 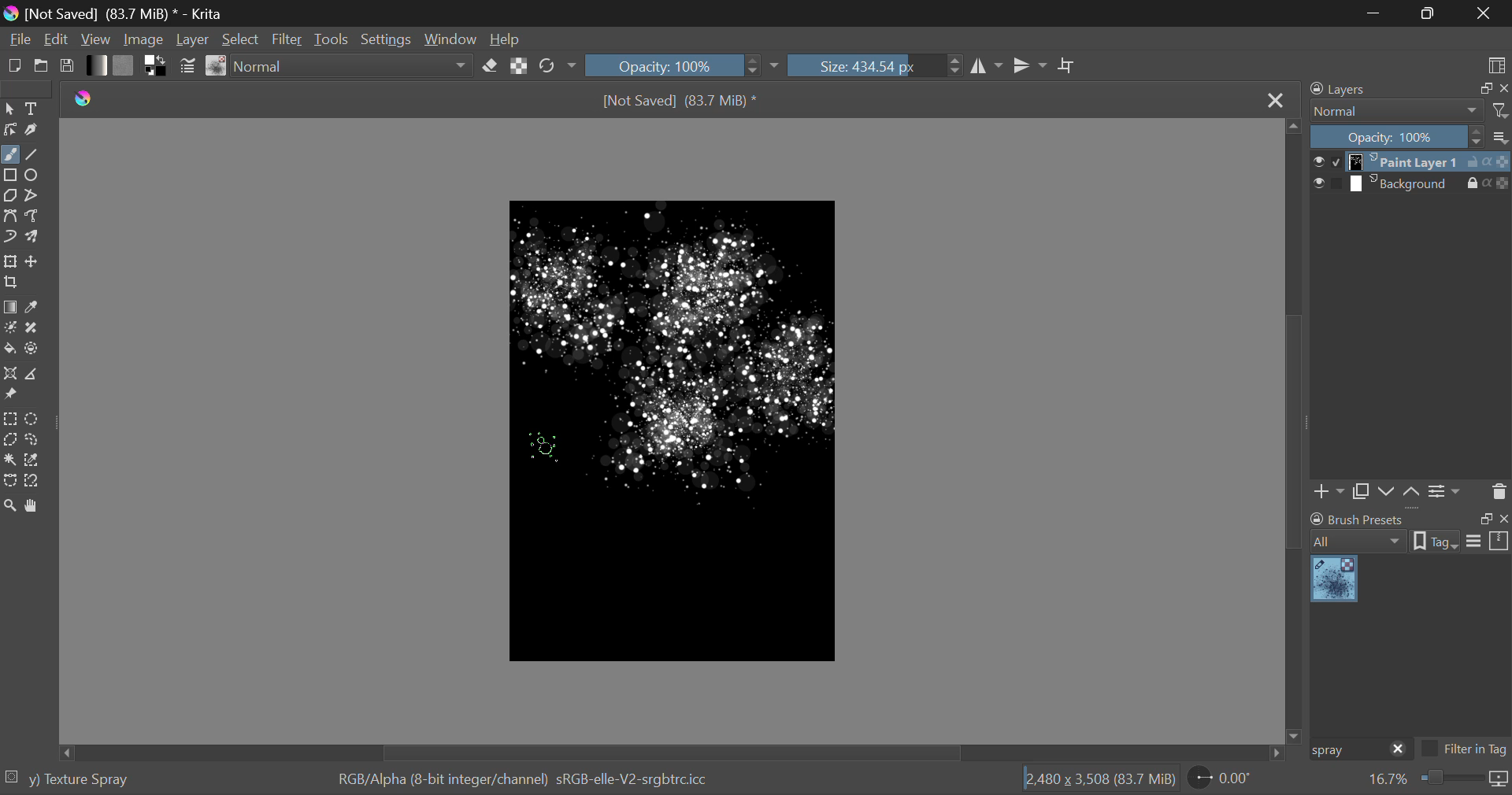 What do you see at coordinates (391, 38) in the screenshot?
I see `Settings` at bounding box center [391, 38].